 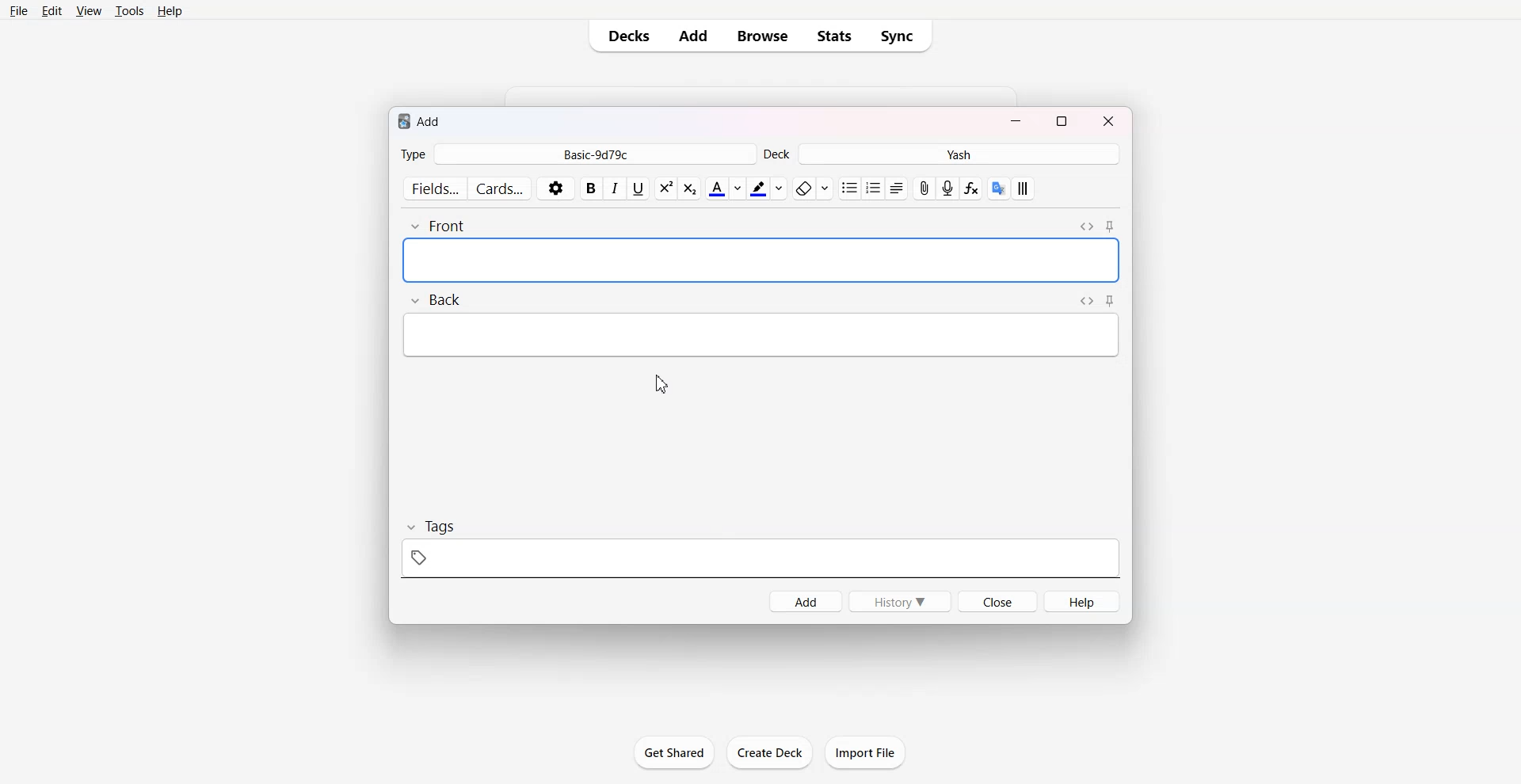 What do you see at coordinates (437, 226) in the screenshot?
I see `Front` at bounding box center [437, 226].